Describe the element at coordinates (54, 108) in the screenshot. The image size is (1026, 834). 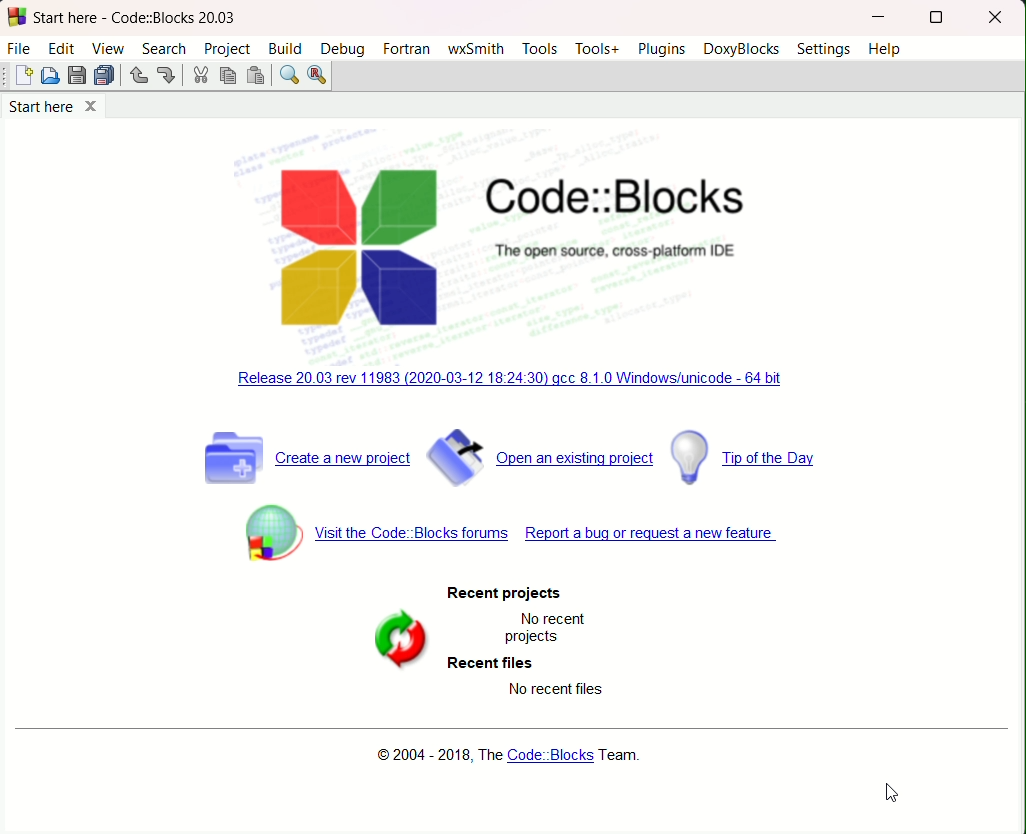
I see `start here` at that location.